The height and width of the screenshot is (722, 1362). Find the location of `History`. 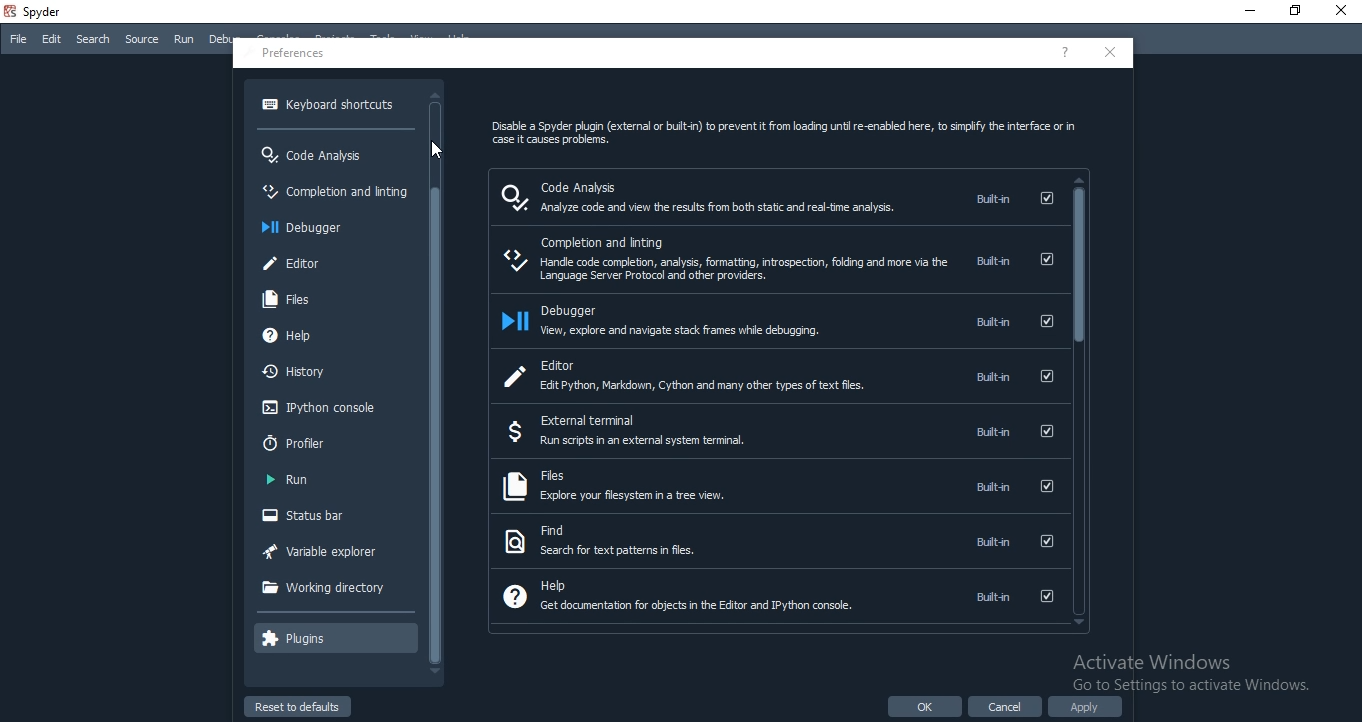

History is located at coordinates (295, 372).